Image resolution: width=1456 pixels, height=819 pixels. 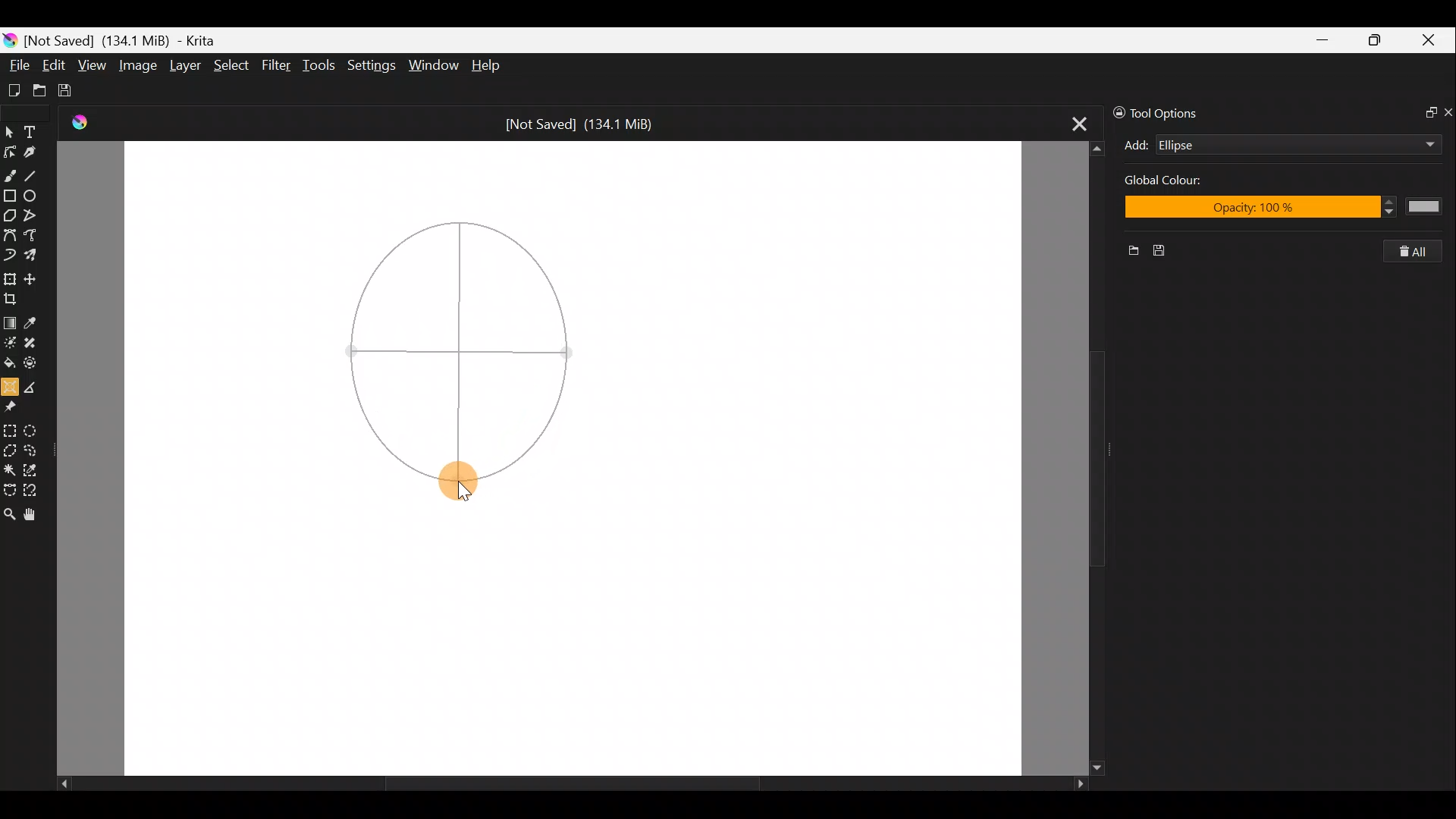 I want to click on Delete all, so click(x=1421, y=252).